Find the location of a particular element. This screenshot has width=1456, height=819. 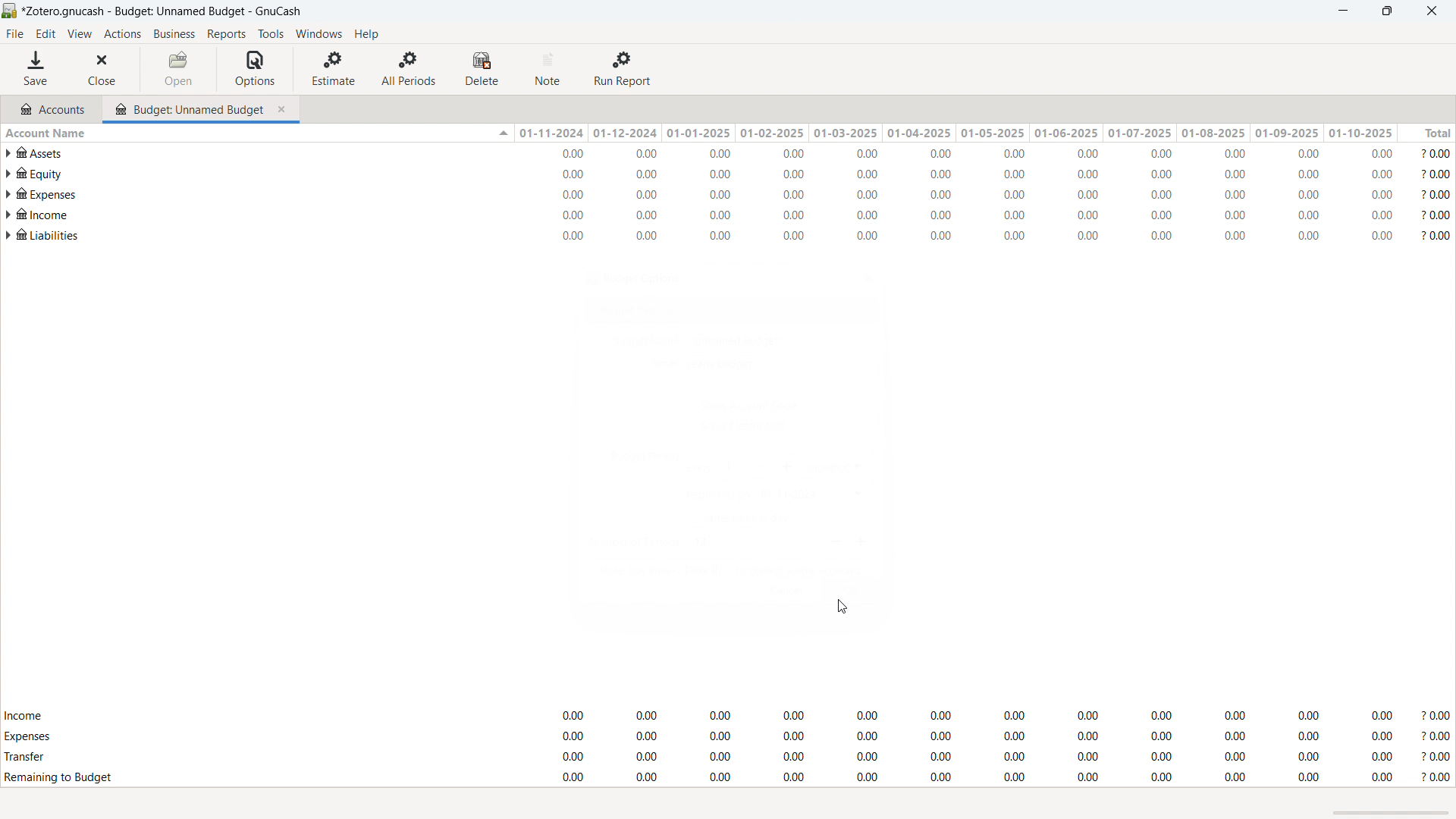

maximize is located at coordinates (1386, 11).